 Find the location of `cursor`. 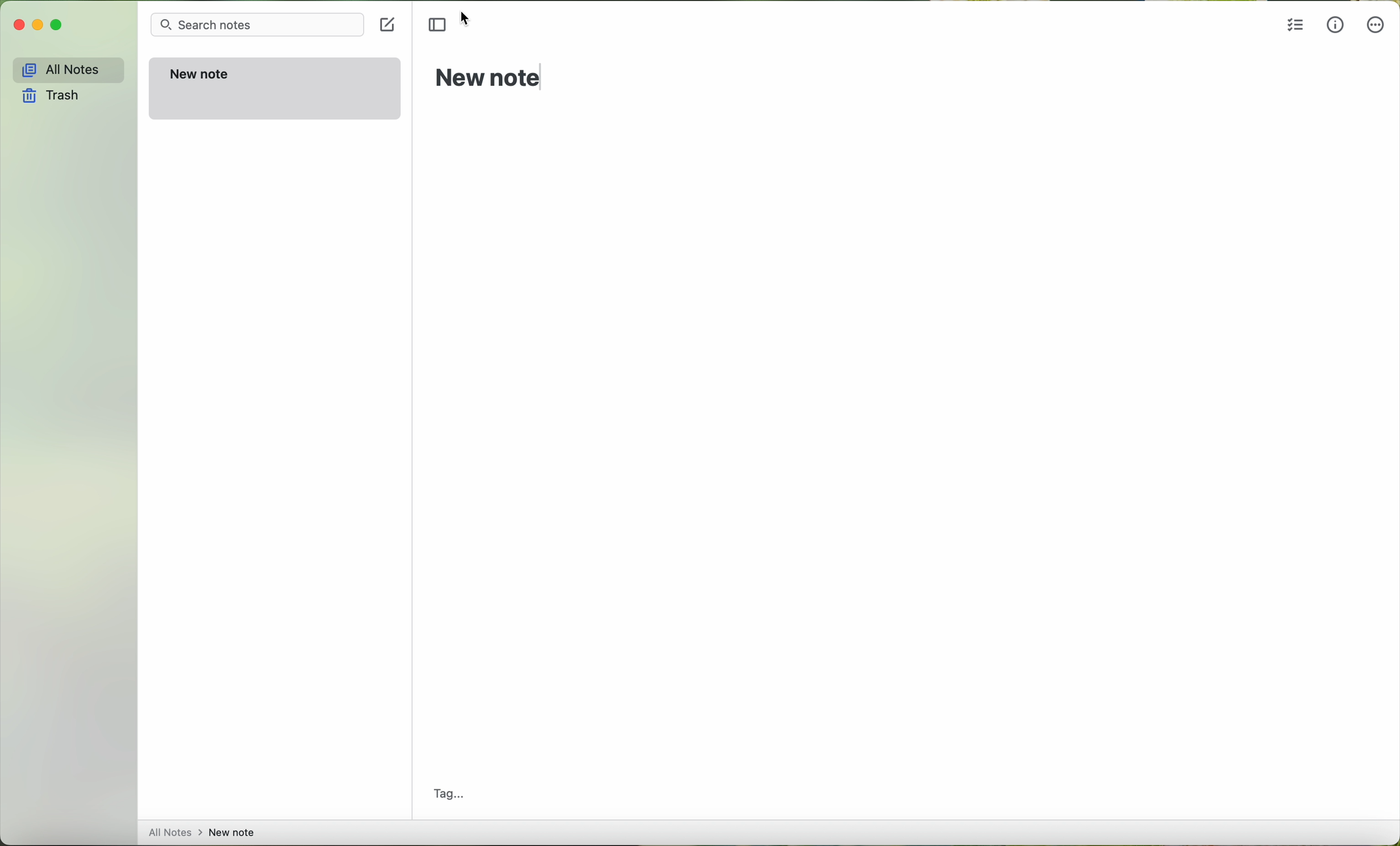

cursor is located at coordinates (465, 18).